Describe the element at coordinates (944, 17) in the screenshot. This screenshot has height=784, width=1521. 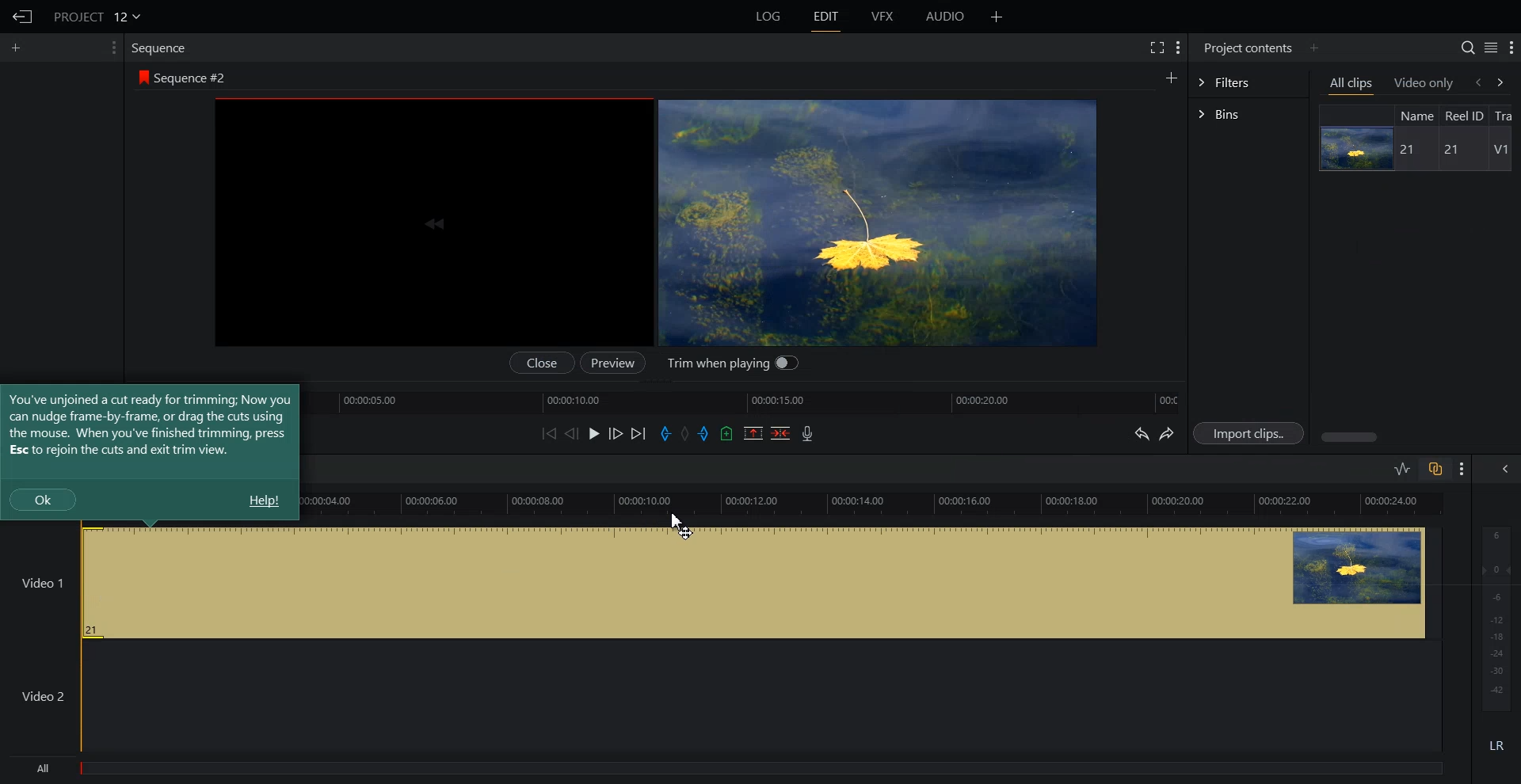
I see `AUDIO` at that location.